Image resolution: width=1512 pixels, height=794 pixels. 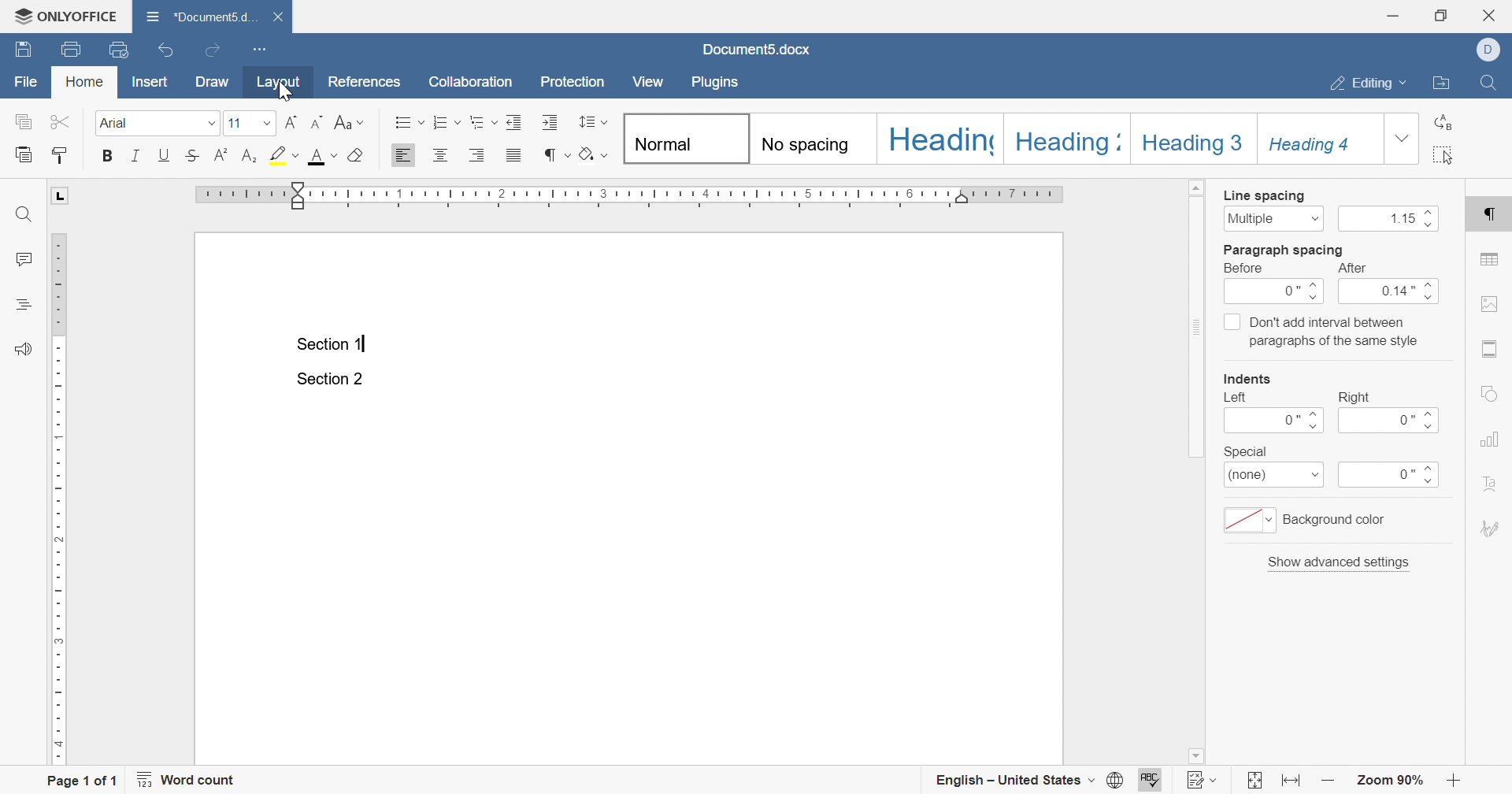 I want to click on redo, so click(x=213, y=50).